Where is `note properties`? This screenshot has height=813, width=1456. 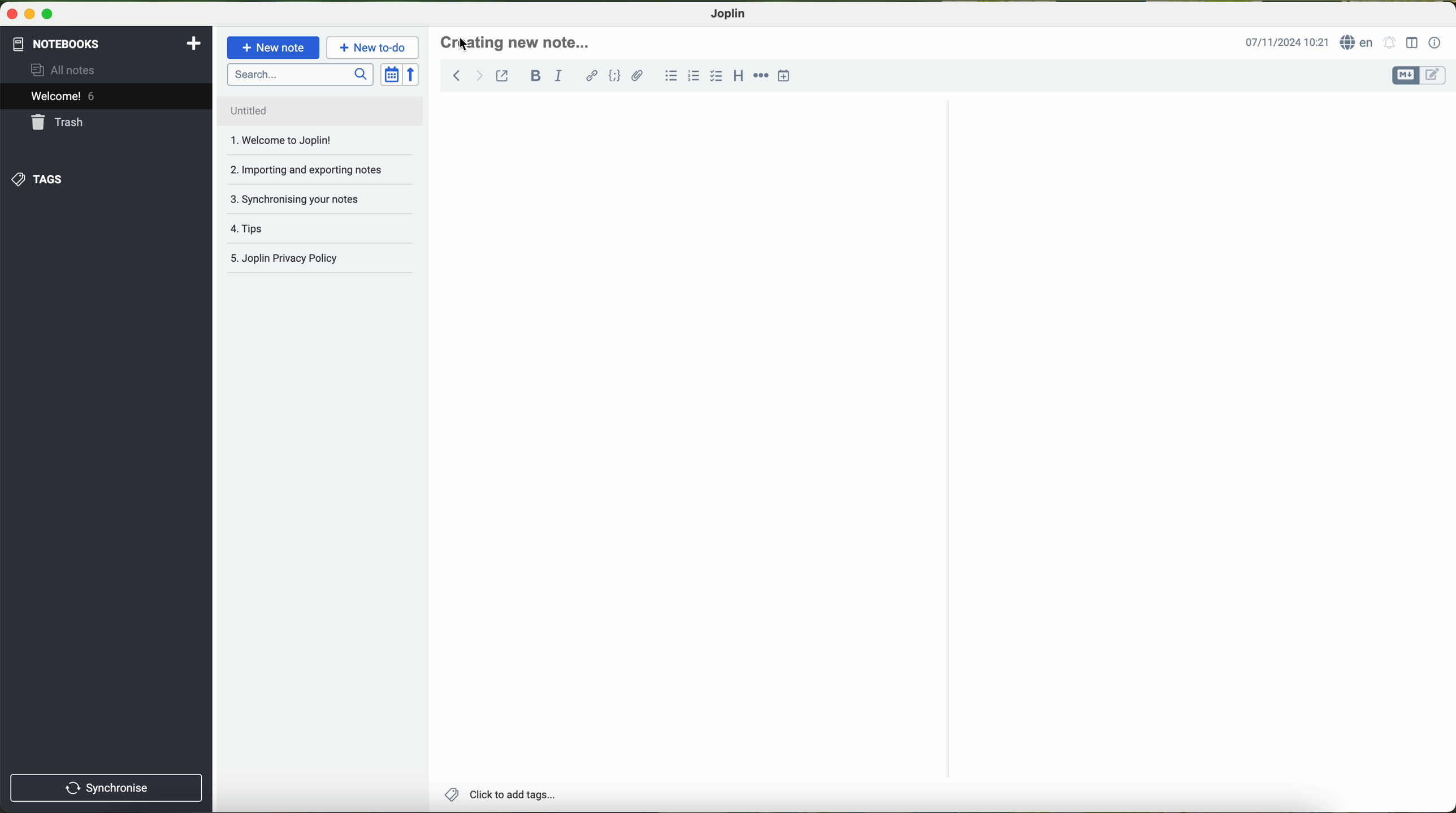
note properties is located at coordinates (1436, 44).